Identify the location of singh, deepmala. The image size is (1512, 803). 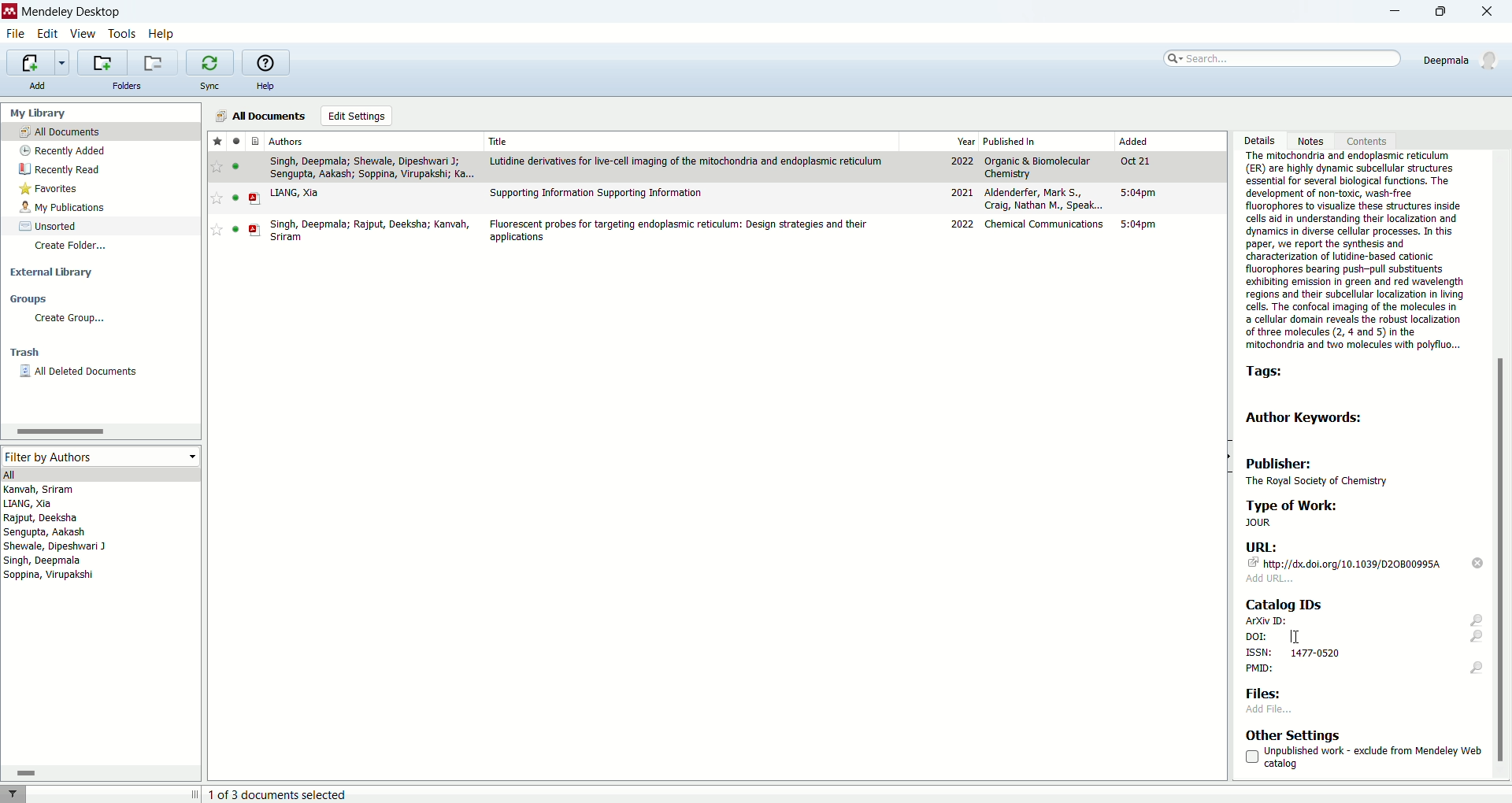
(44, 561).